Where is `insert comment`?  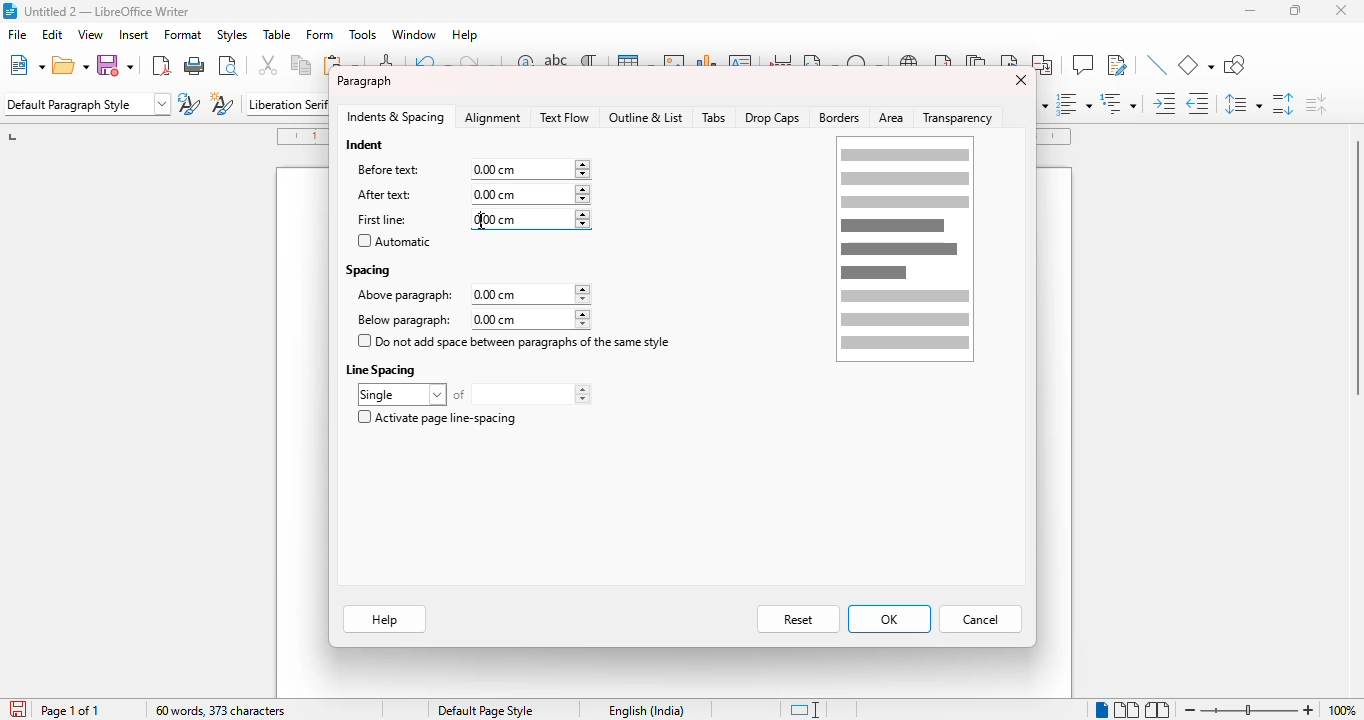
insert comment is located at coordinates (1082, 64).